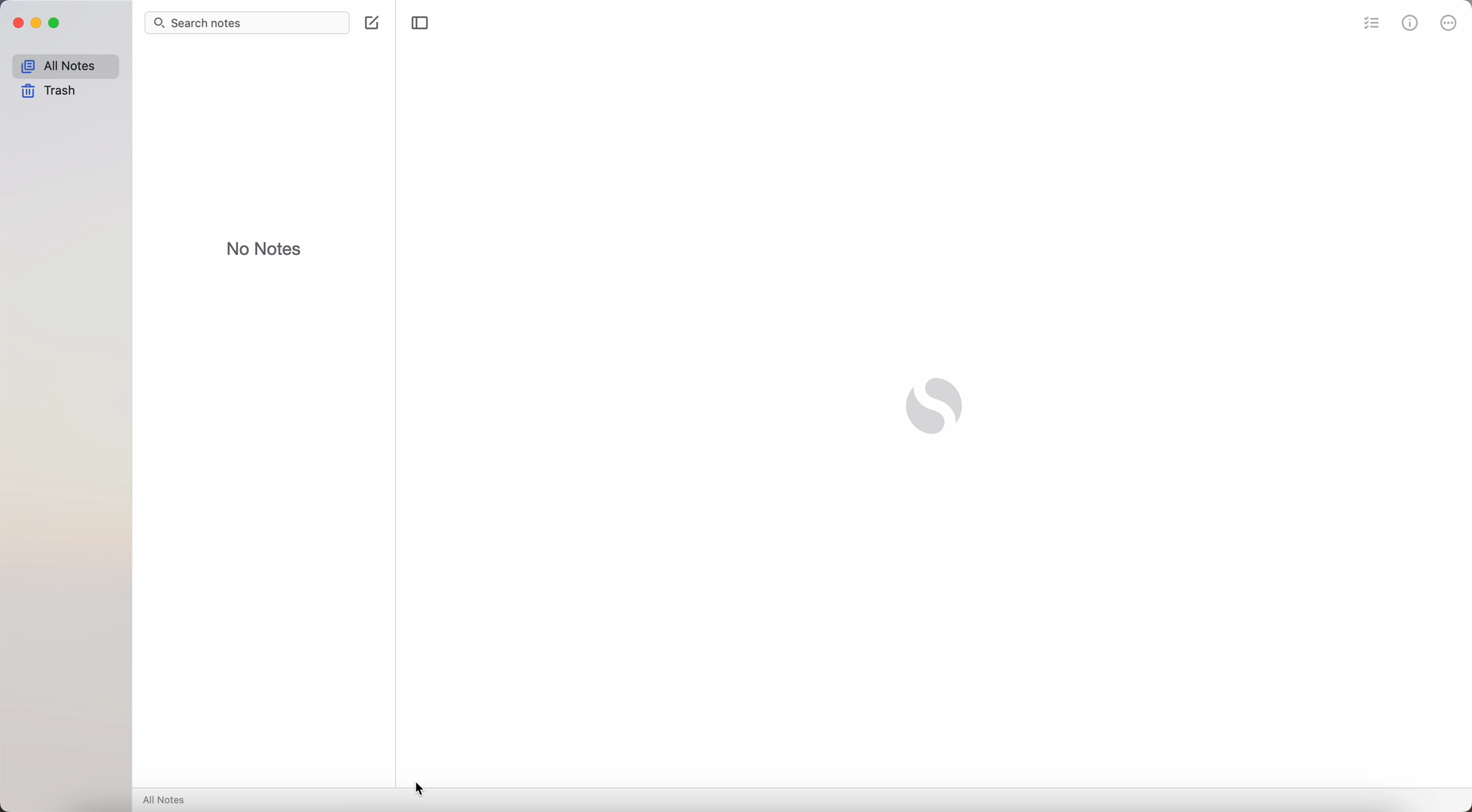 The width and height of the screenshot is (1472, 812). What do you see at coordinates (1448, 22) in the screenshot?
I see `more options` at bounding box center [1448, 22].